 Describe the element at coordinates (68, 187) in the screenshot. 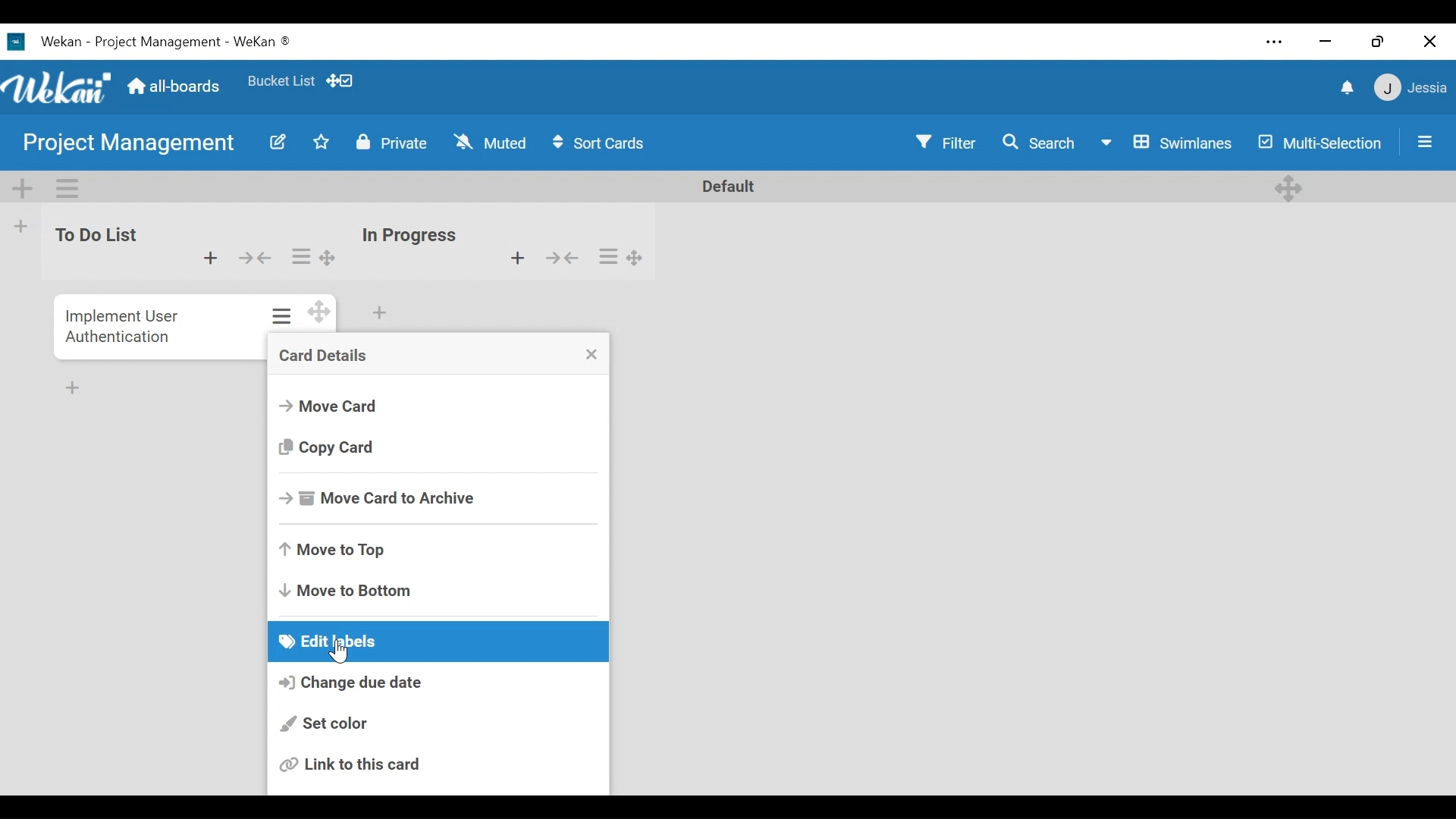

I see `swimlane actions` at that location.